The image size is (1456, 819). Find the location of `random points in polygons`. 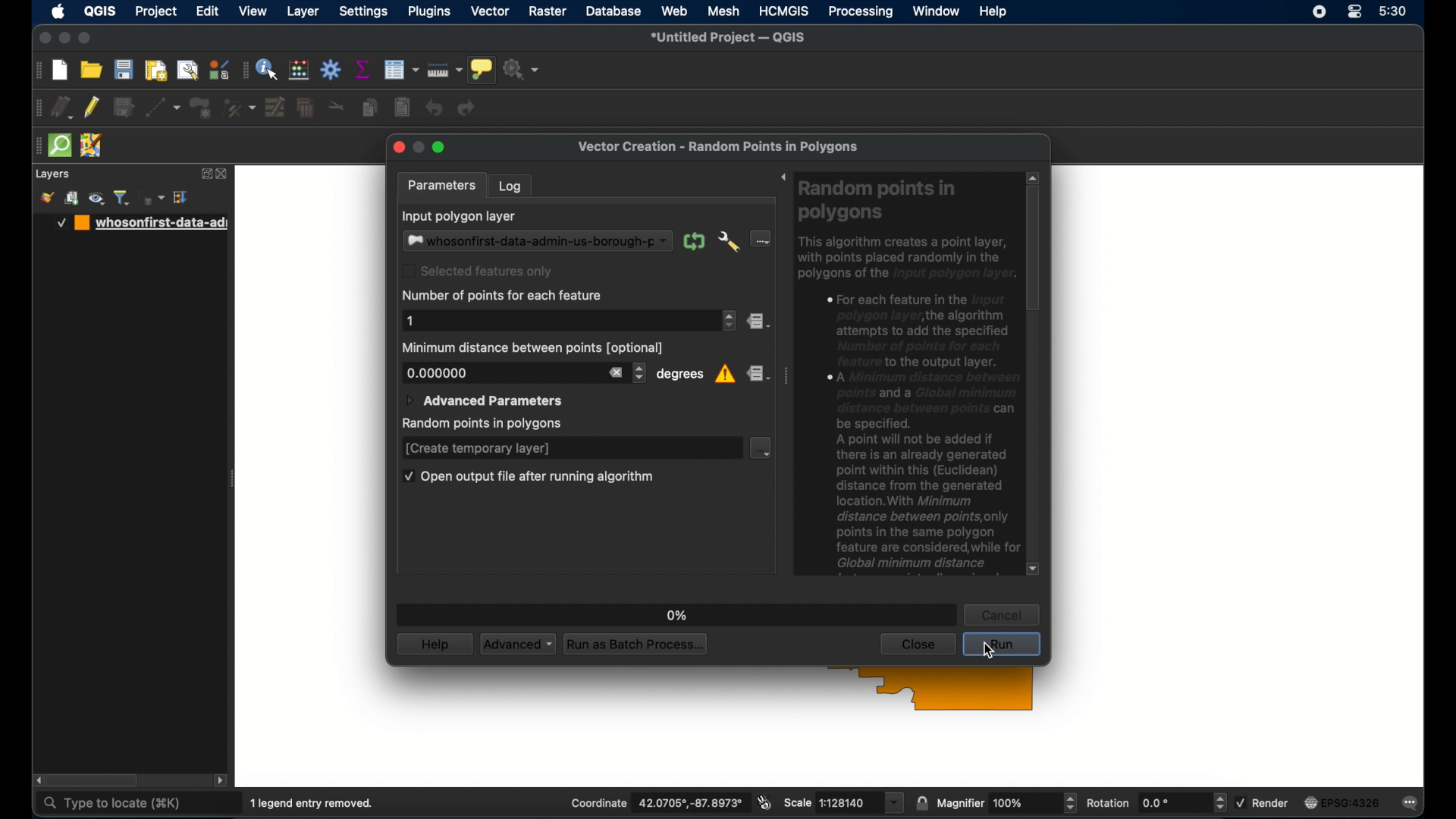

random points in polygons is located at coordinates (480, 424).